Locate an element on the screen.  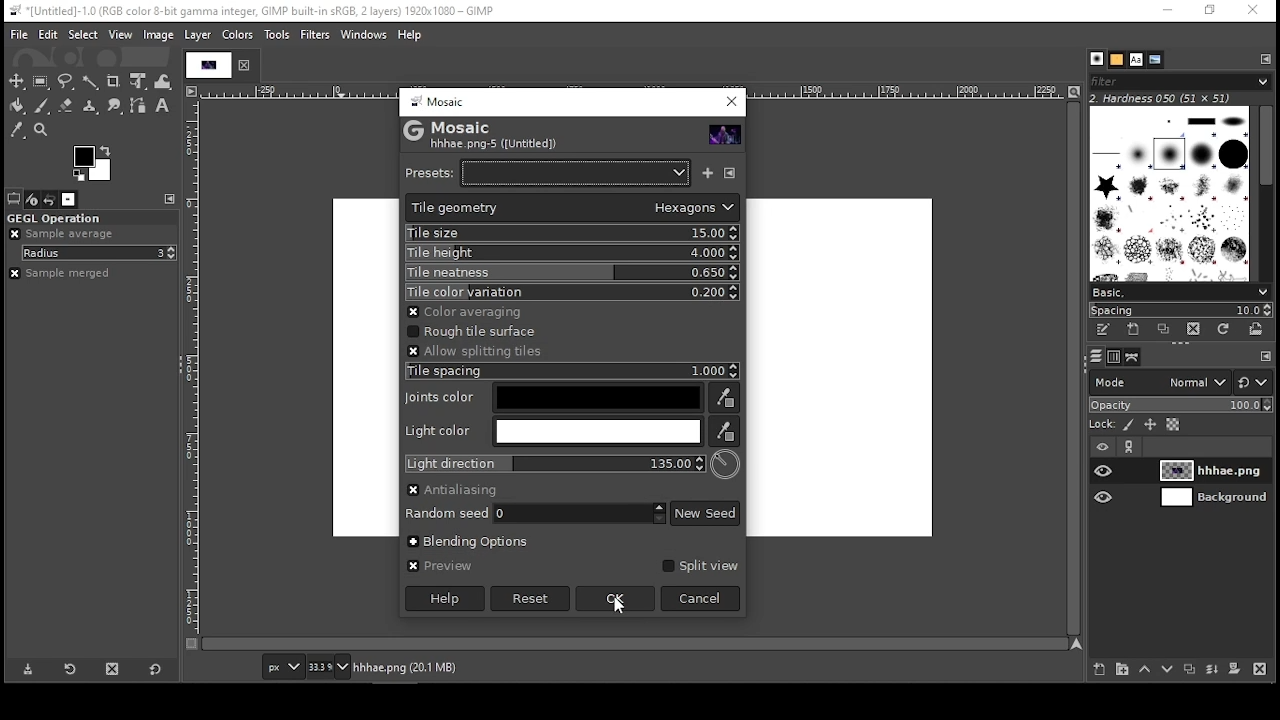
lock size and position is located at coordinates (1152, 423).